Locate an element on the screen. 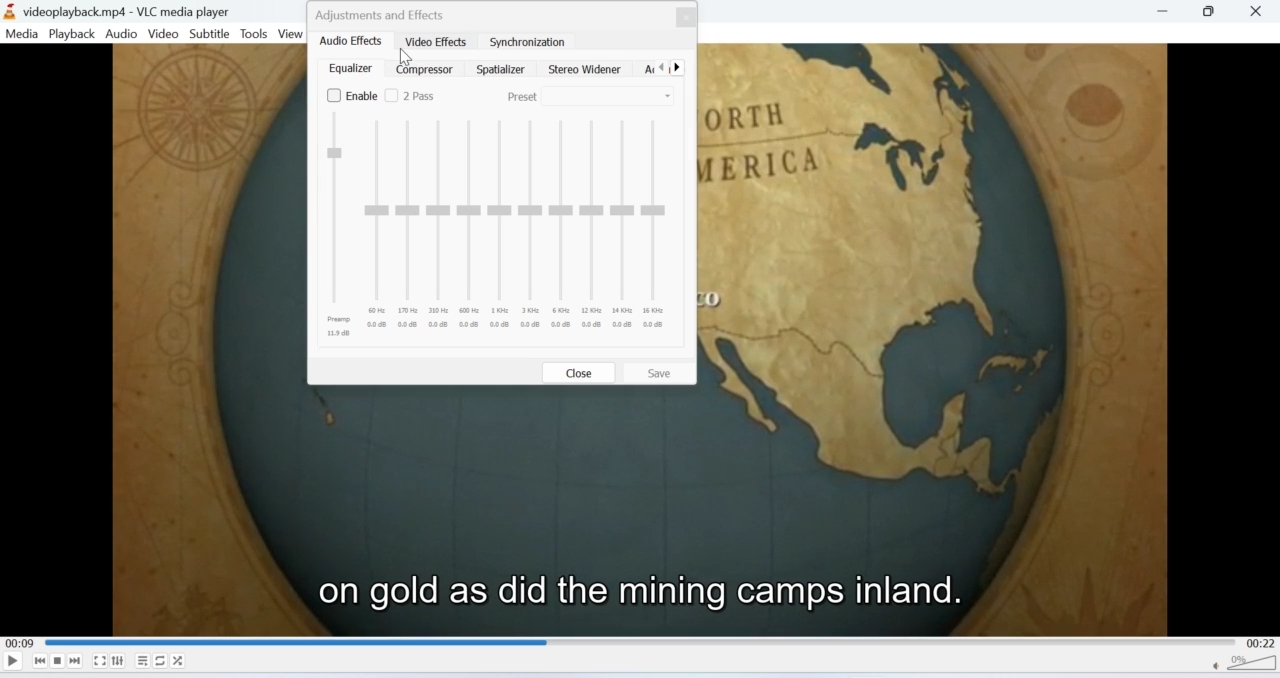  Shuffle is located at coordinates (179, 661).